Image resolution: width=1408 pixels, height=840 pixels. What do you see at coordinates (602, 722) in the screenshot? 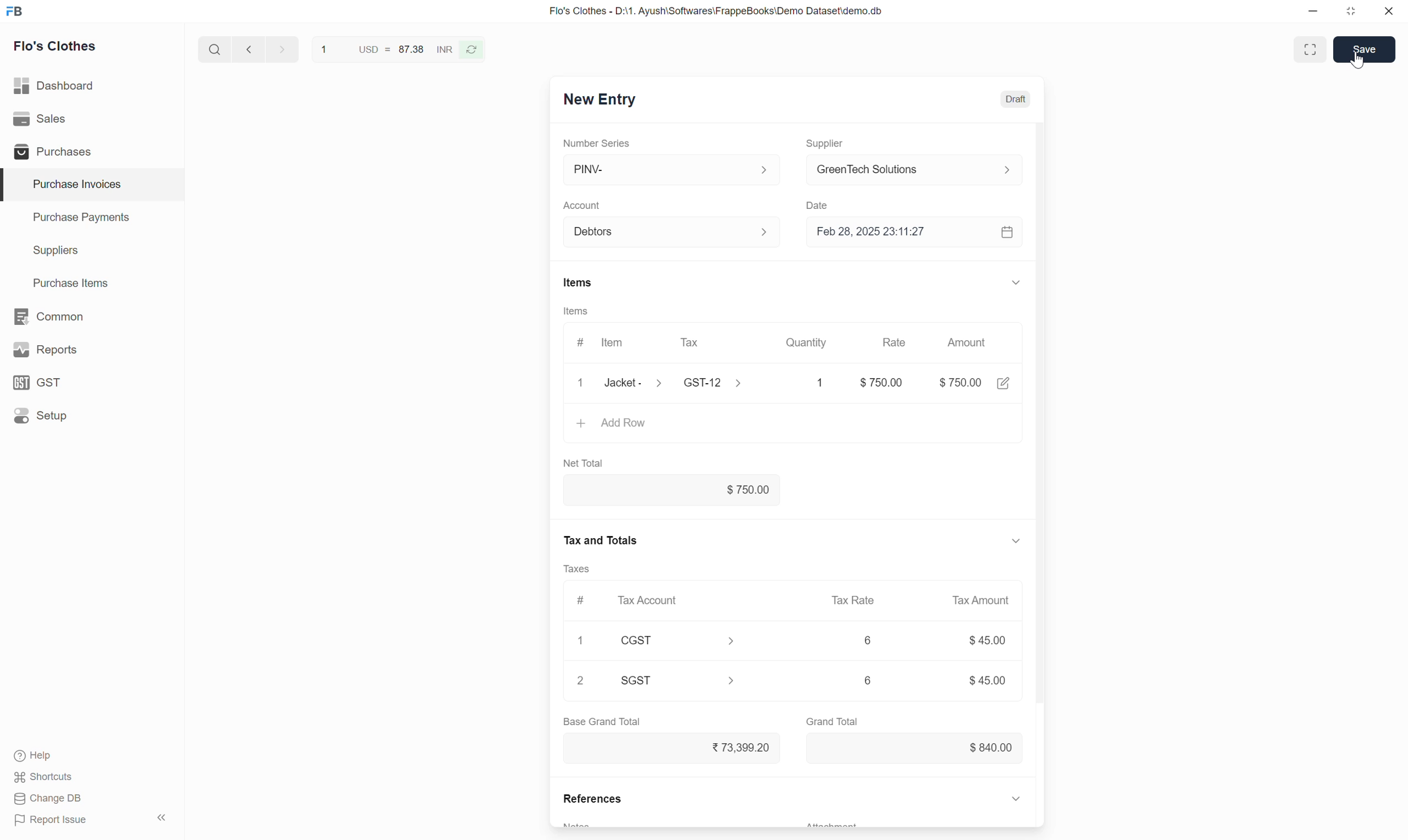
I see `Base Grand Total` at bounding box center [602, 722].